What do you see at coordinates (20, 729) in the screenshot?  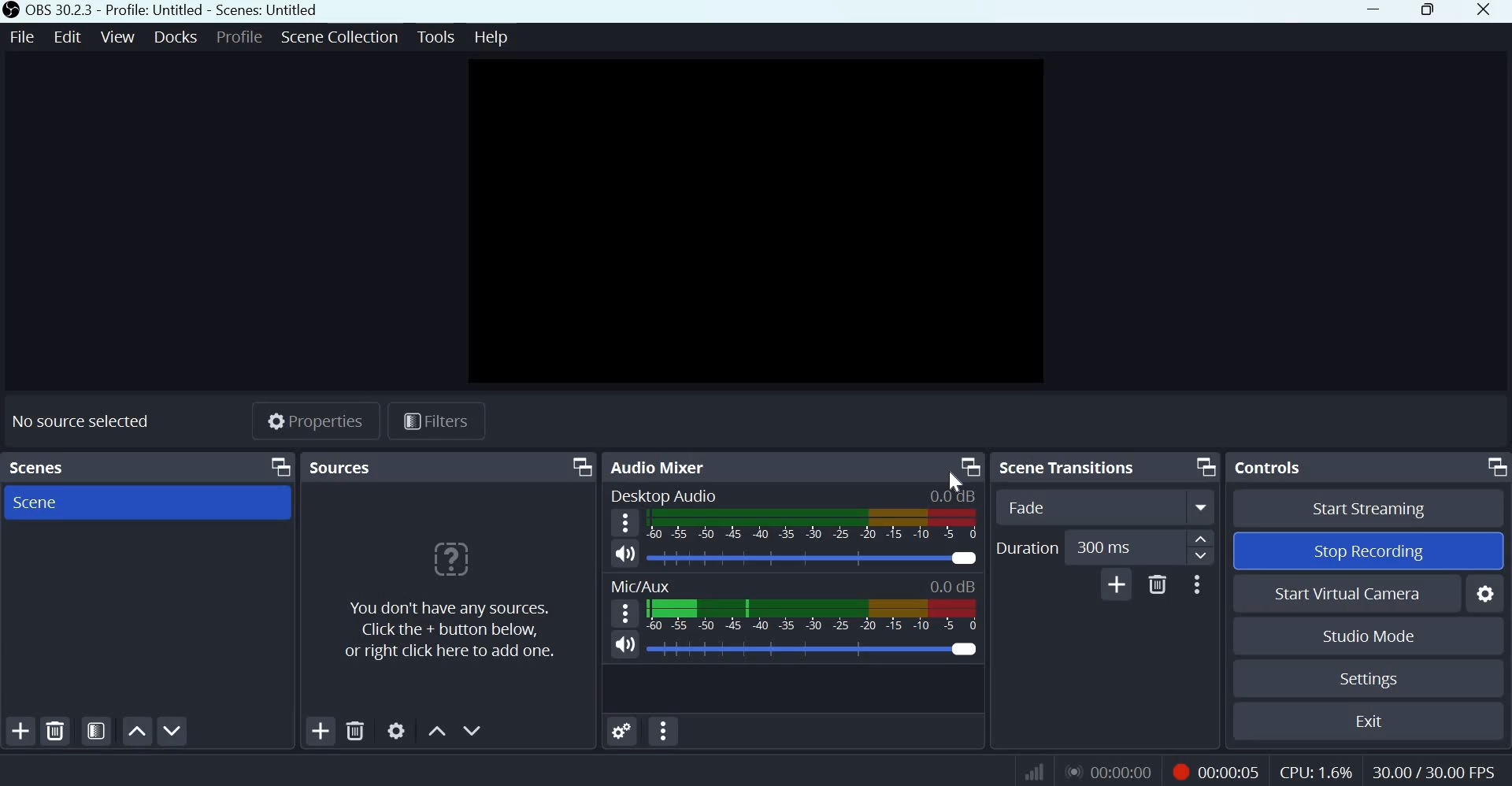 I see `Add scene` at bounding box center [20, 729].